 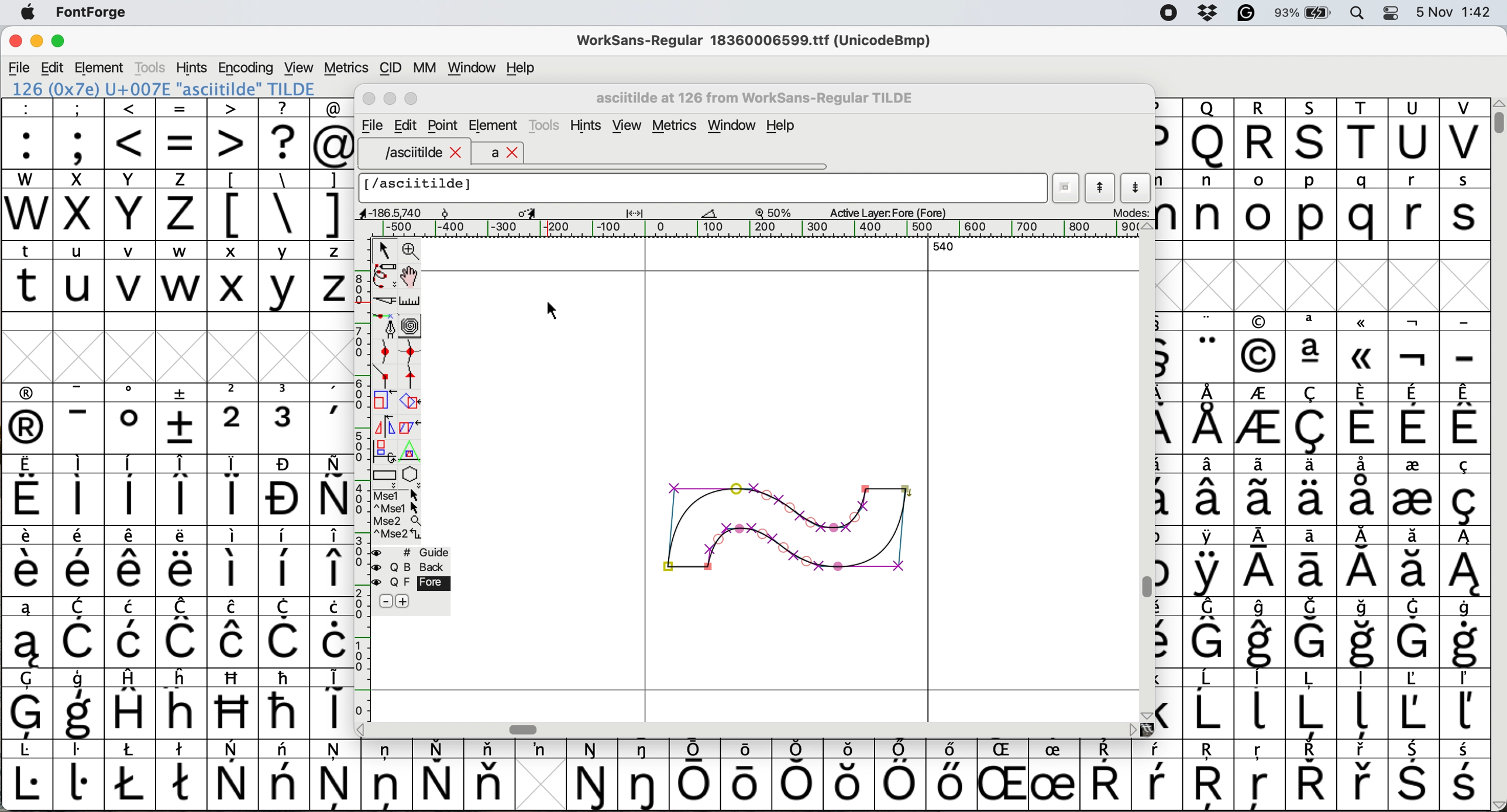 I want to click on symbol, so click(x=80, y=419).